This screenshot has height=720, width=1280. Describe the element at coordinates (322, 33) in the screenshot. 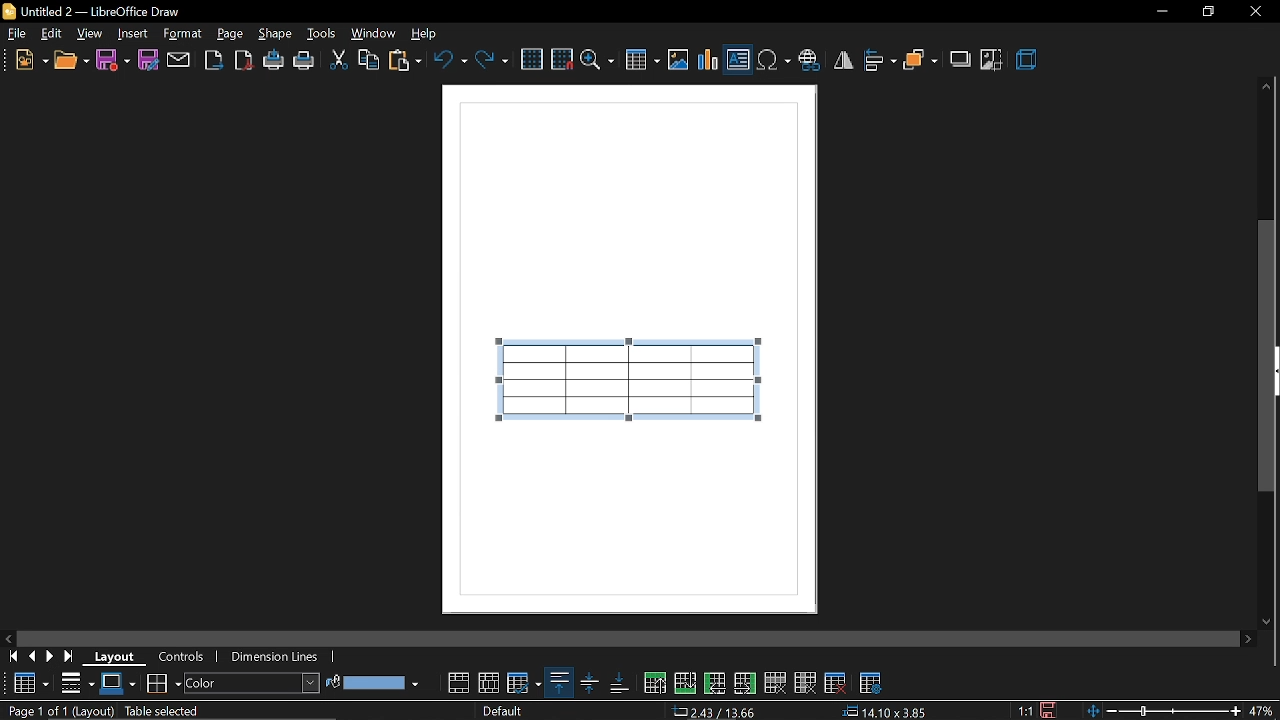

I see `tools` at that location.